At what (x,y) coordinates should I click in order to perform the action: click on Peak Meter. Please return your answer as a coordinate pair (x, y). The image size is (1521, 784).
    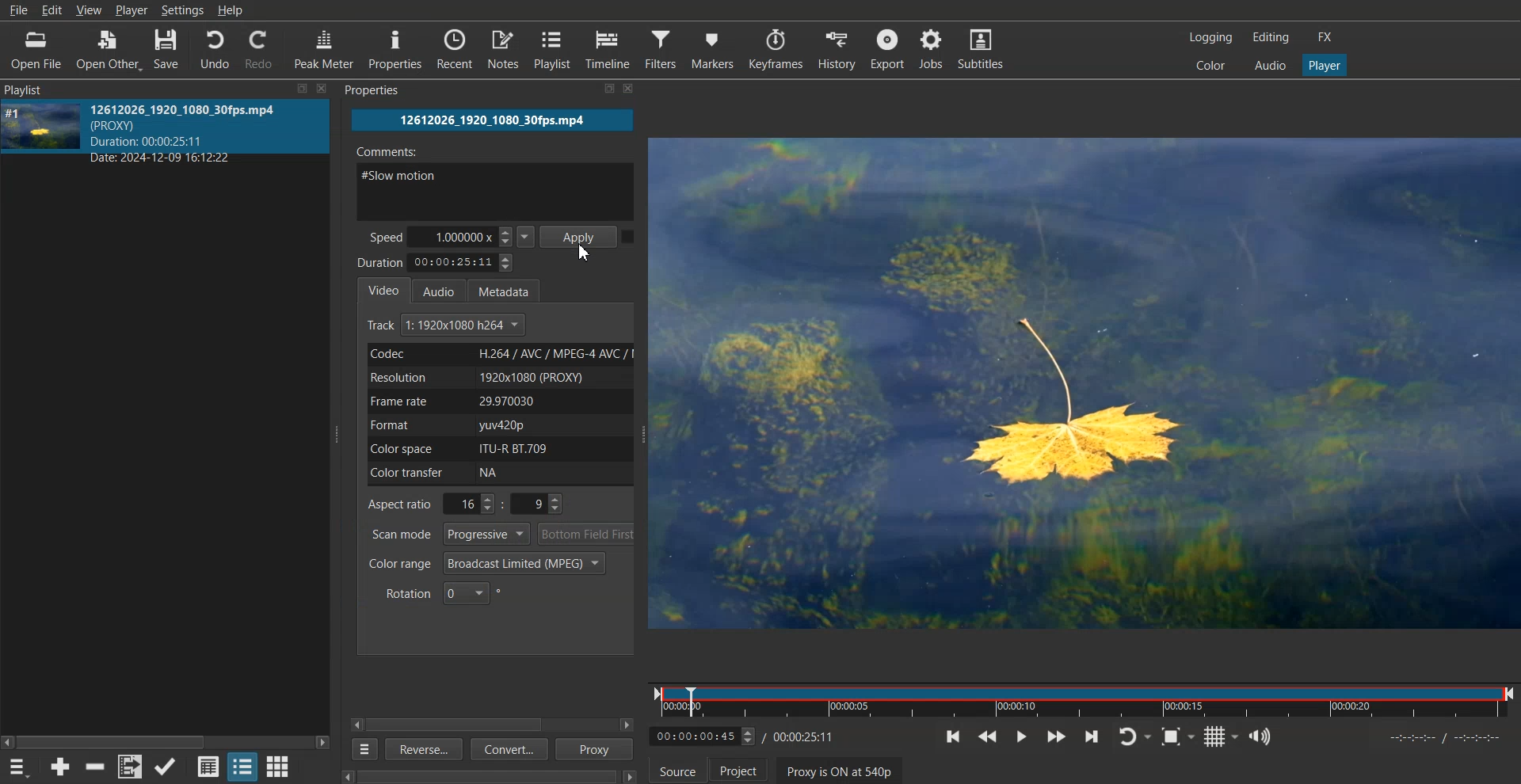
    Looking at the image, I should click on (325, 48).